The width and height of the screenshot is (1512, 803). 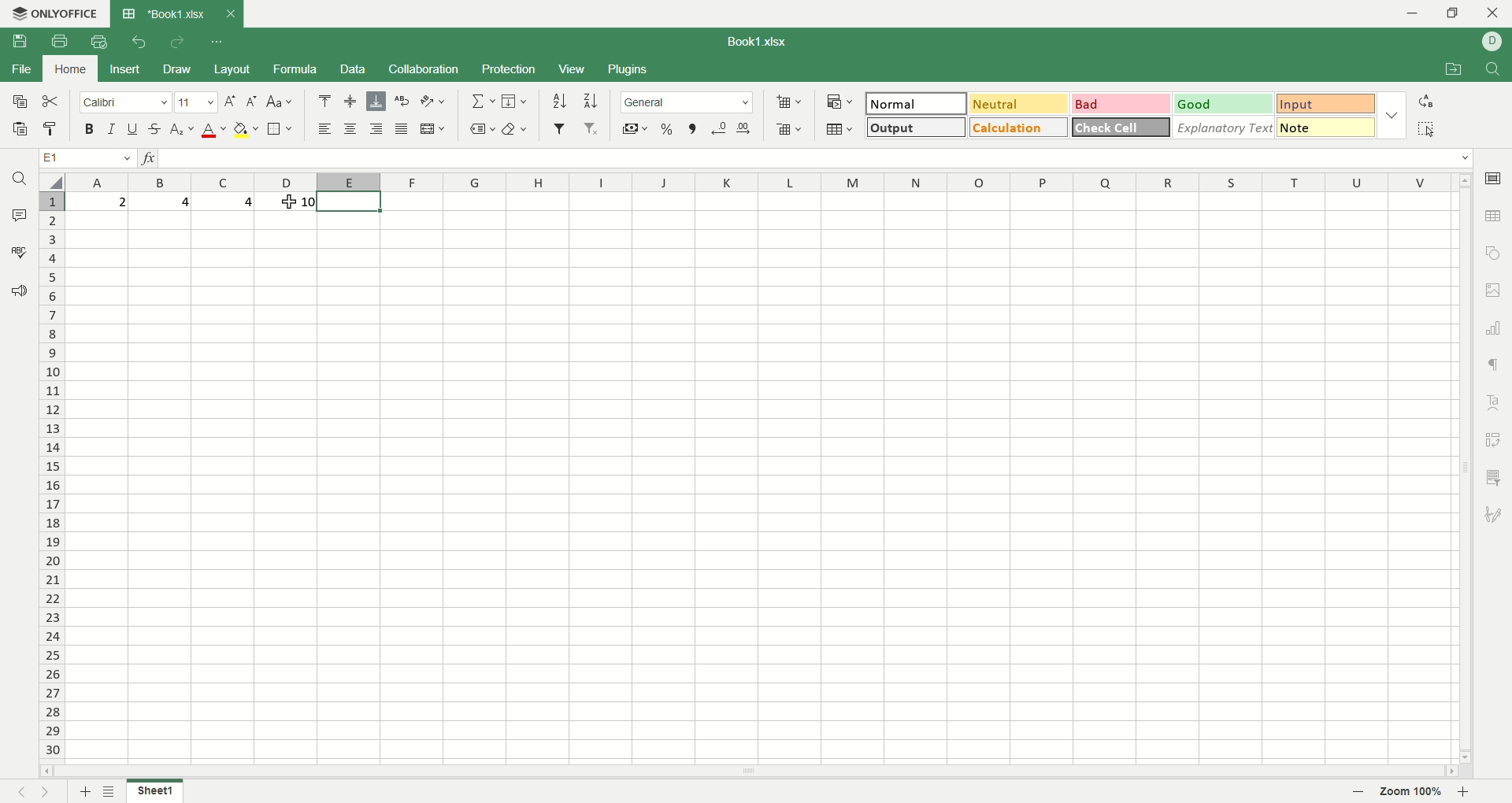 I want to click on cell settings, so click(x=1491, y=179).